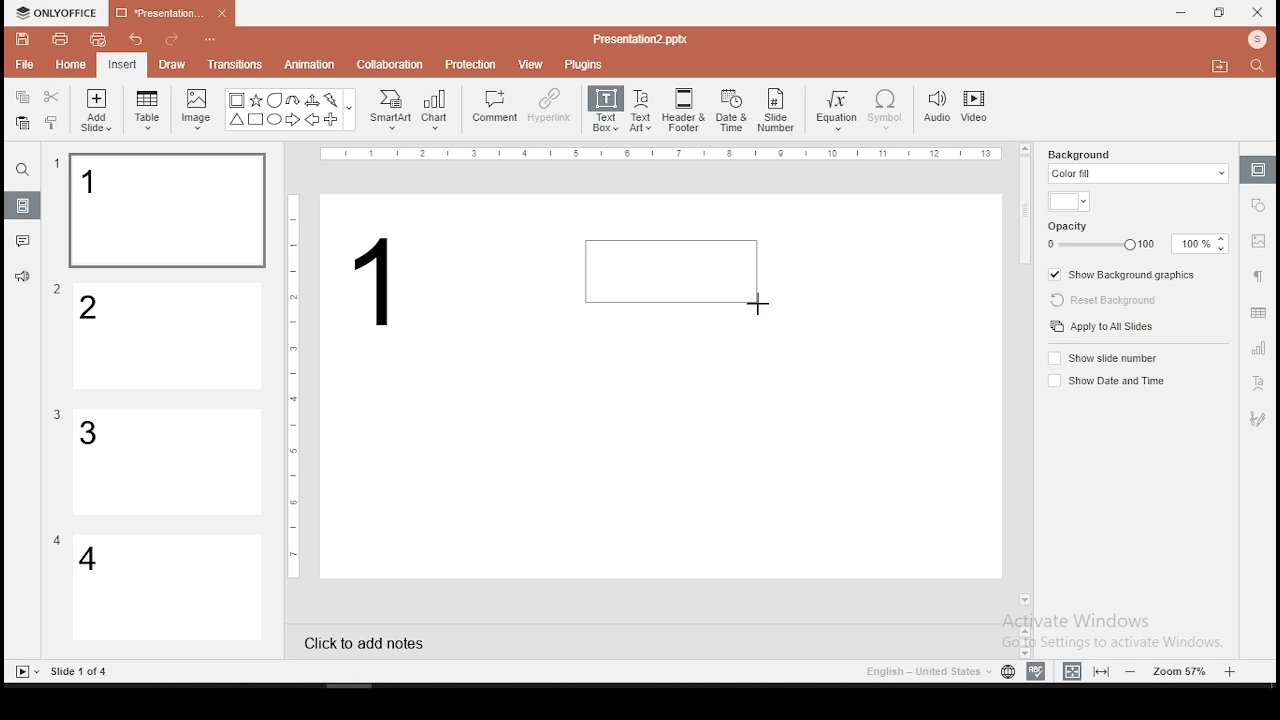 This screenshot has width=1280, height=720. Describe the element at coordinates (604, 108) in the screenshot. I see `text box` at that location.